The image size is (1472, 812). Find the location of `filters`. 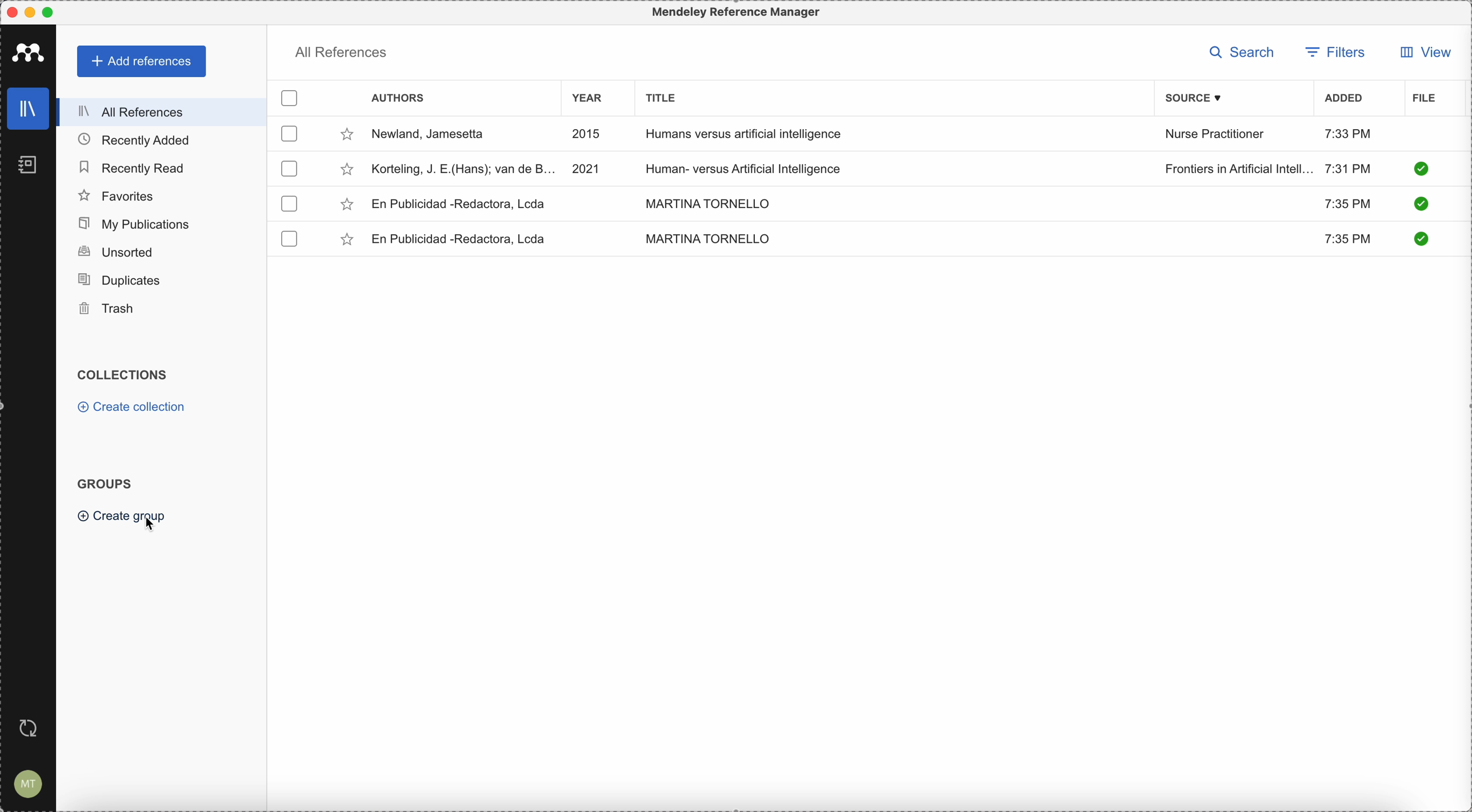

filters is located at coordinates (1335, 54).